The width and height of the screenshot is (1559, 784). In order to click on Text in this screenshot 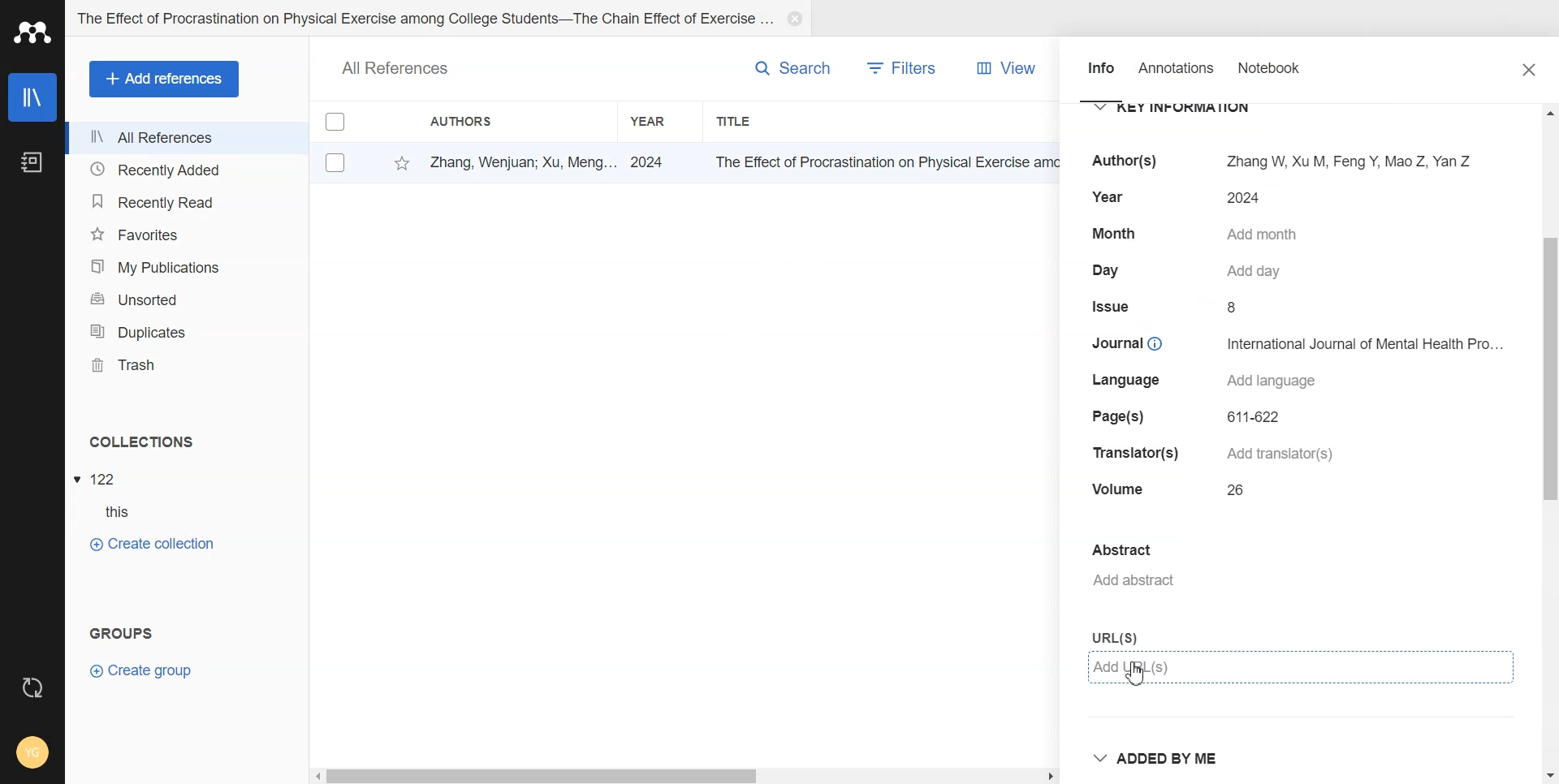, I will do `click(140, 442)`.